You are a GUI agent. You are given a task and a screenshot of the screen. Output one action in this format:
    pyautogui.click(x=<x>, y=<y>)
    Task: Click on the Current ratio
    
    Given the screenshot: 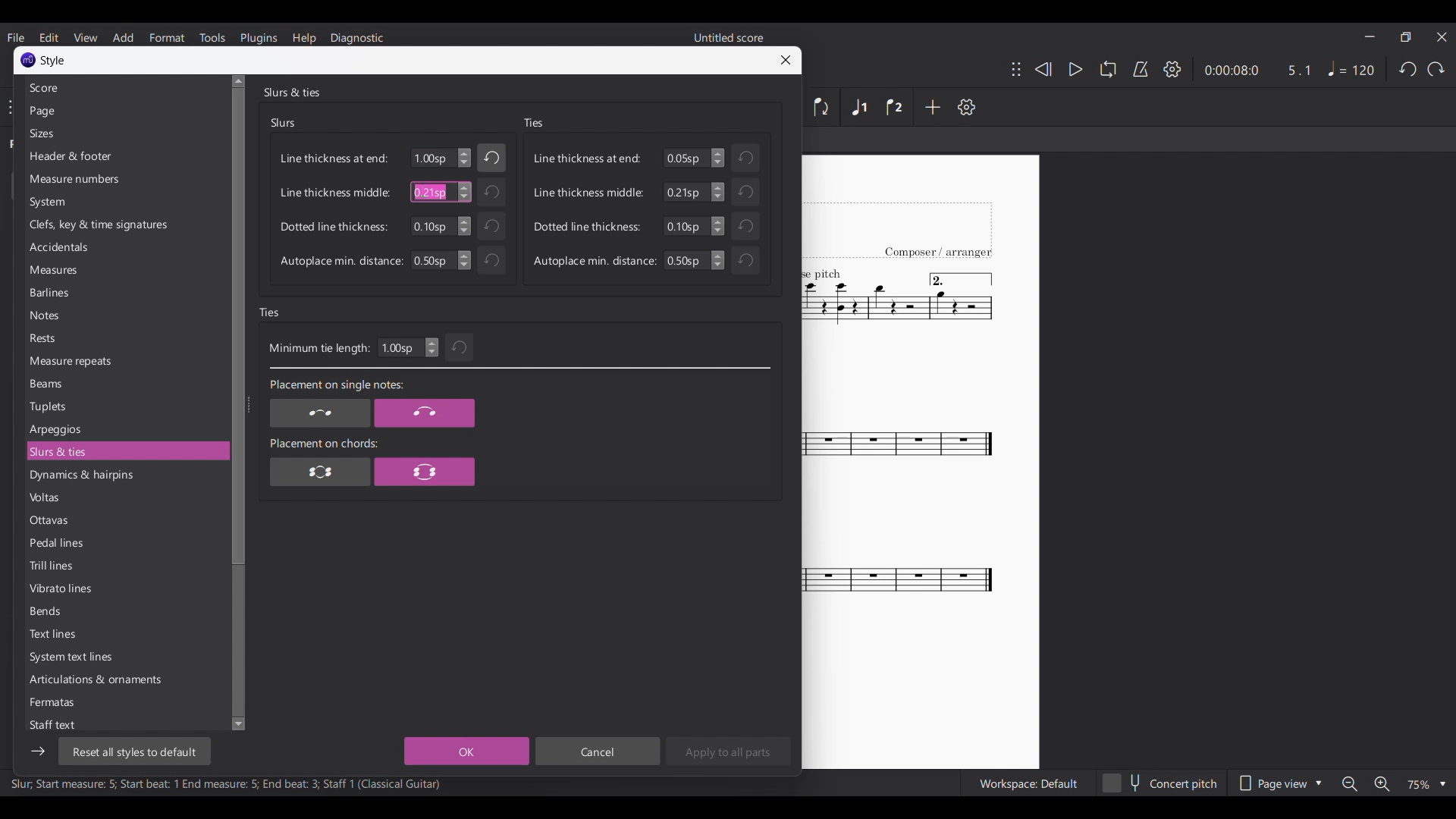 What is the action you would take?
    pyautogui.click(x=1299, y=70)
    